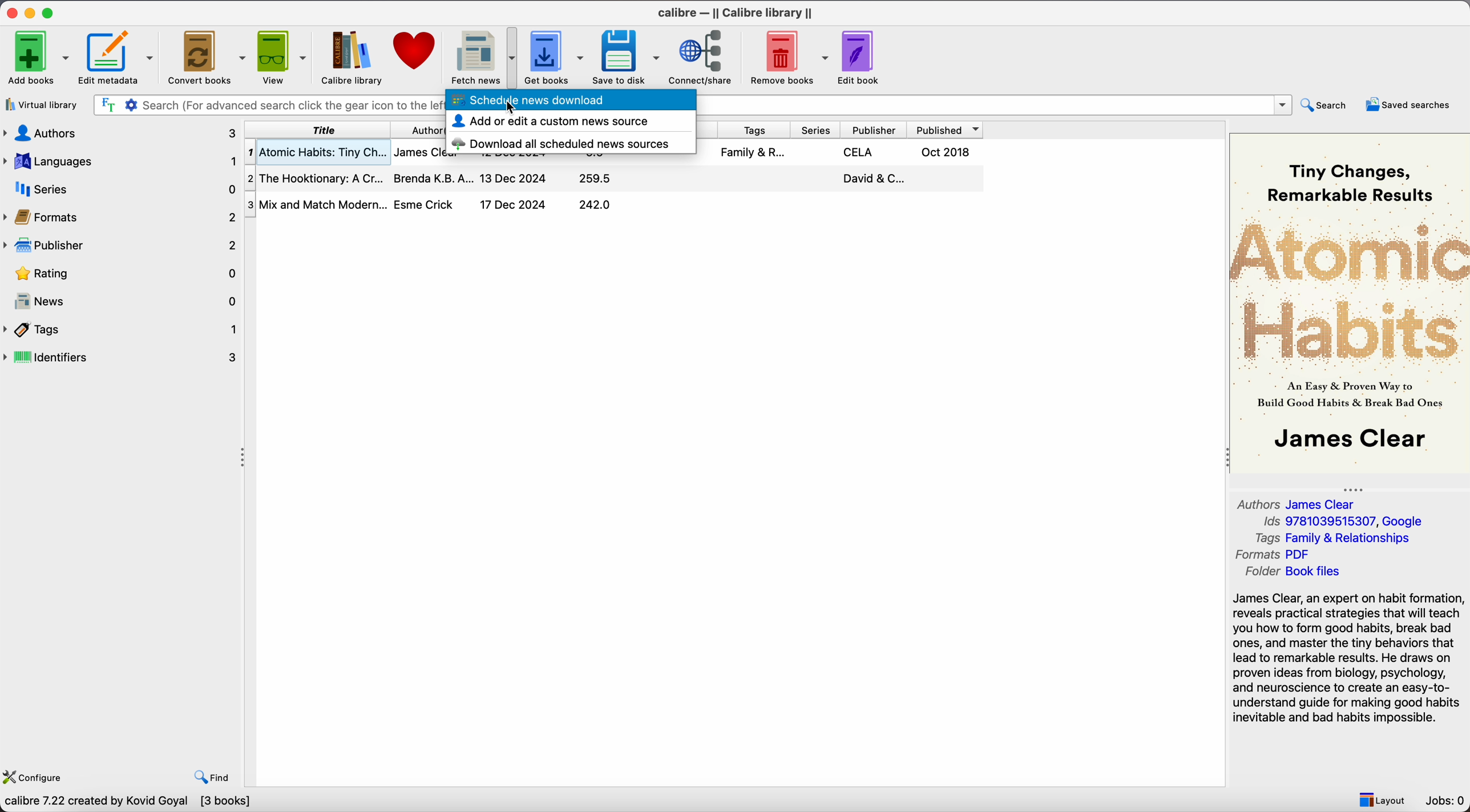 The image size is (1470, 812). Describe the element at coordinates (860, 56) in the screenshot. I see `edit book` at that location.